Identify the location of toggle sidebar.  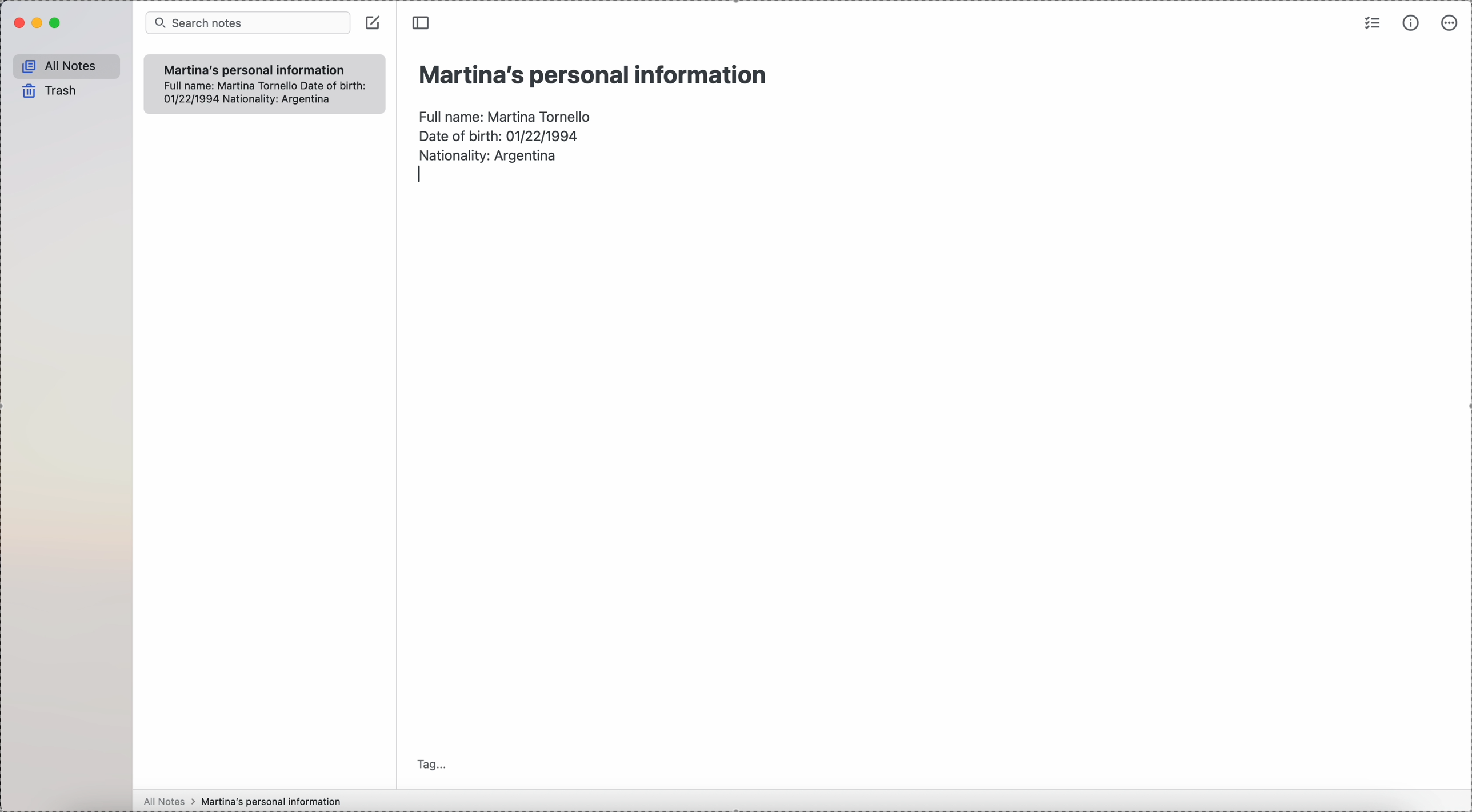
(419, 23).